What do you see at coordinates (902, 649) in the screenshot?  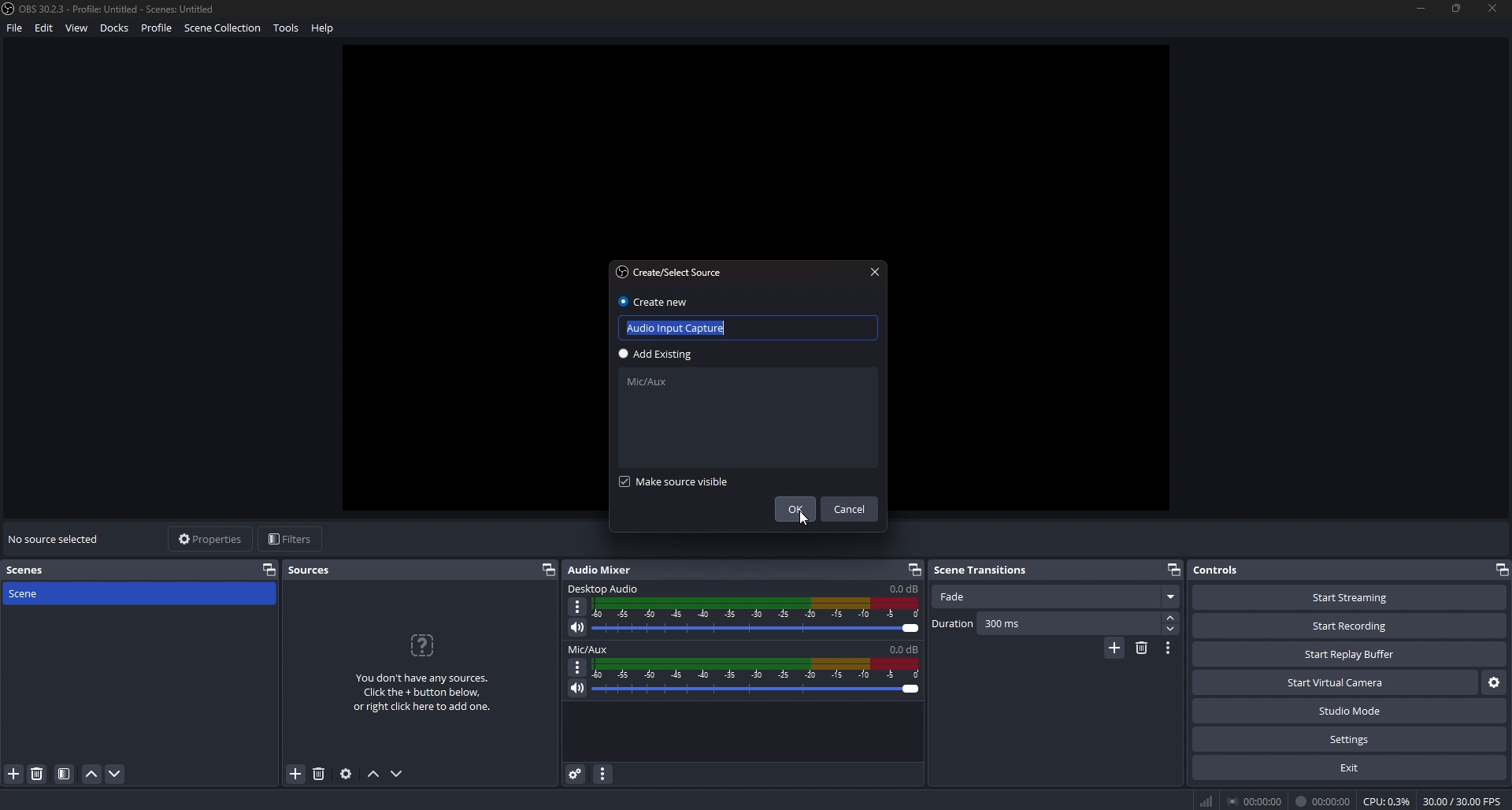 I see `volume level` at bounding box center [902, 649].